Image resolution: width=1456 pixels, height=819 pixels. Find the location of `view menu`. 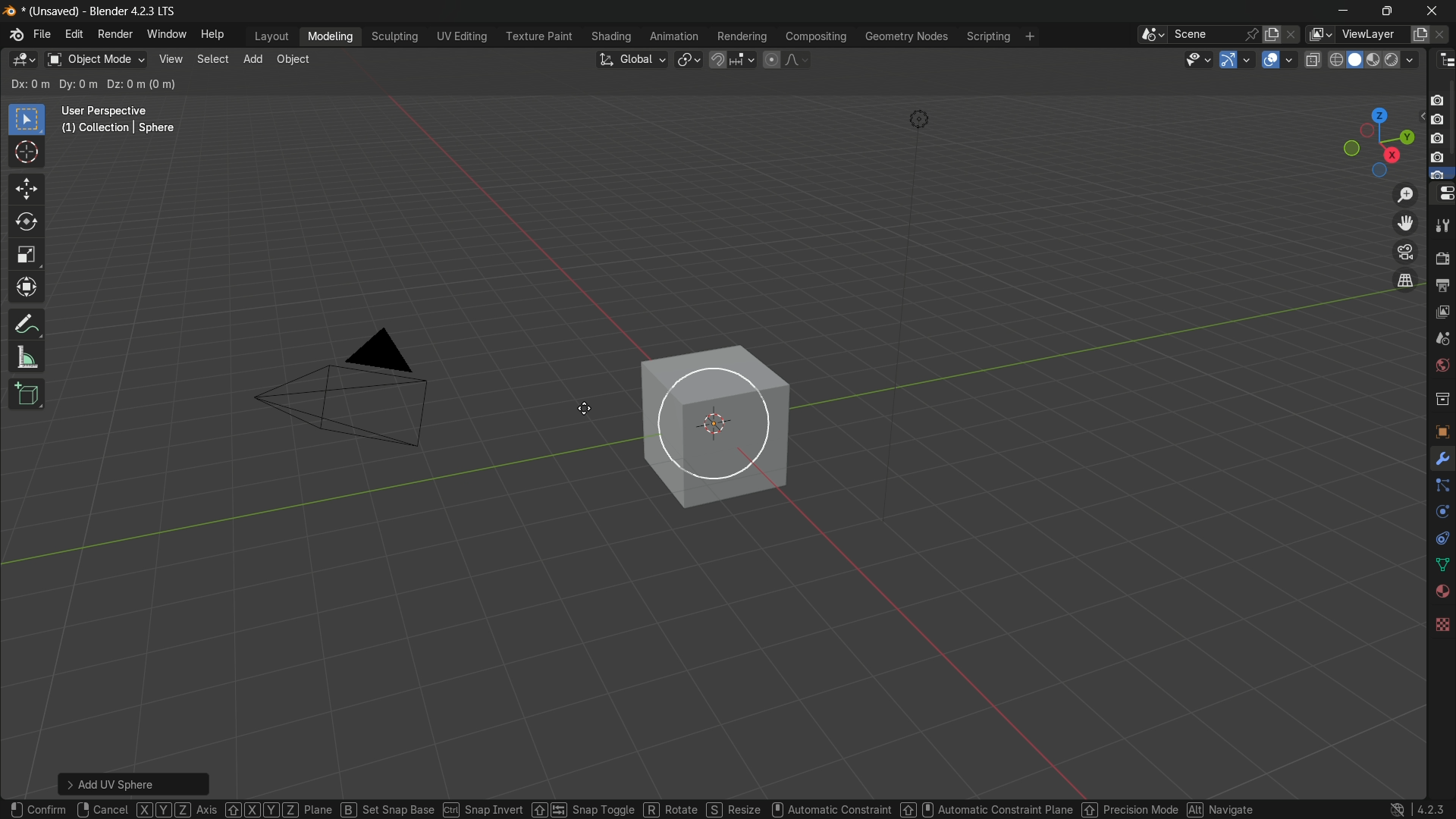

view menu is located at coordinates (171, 59).